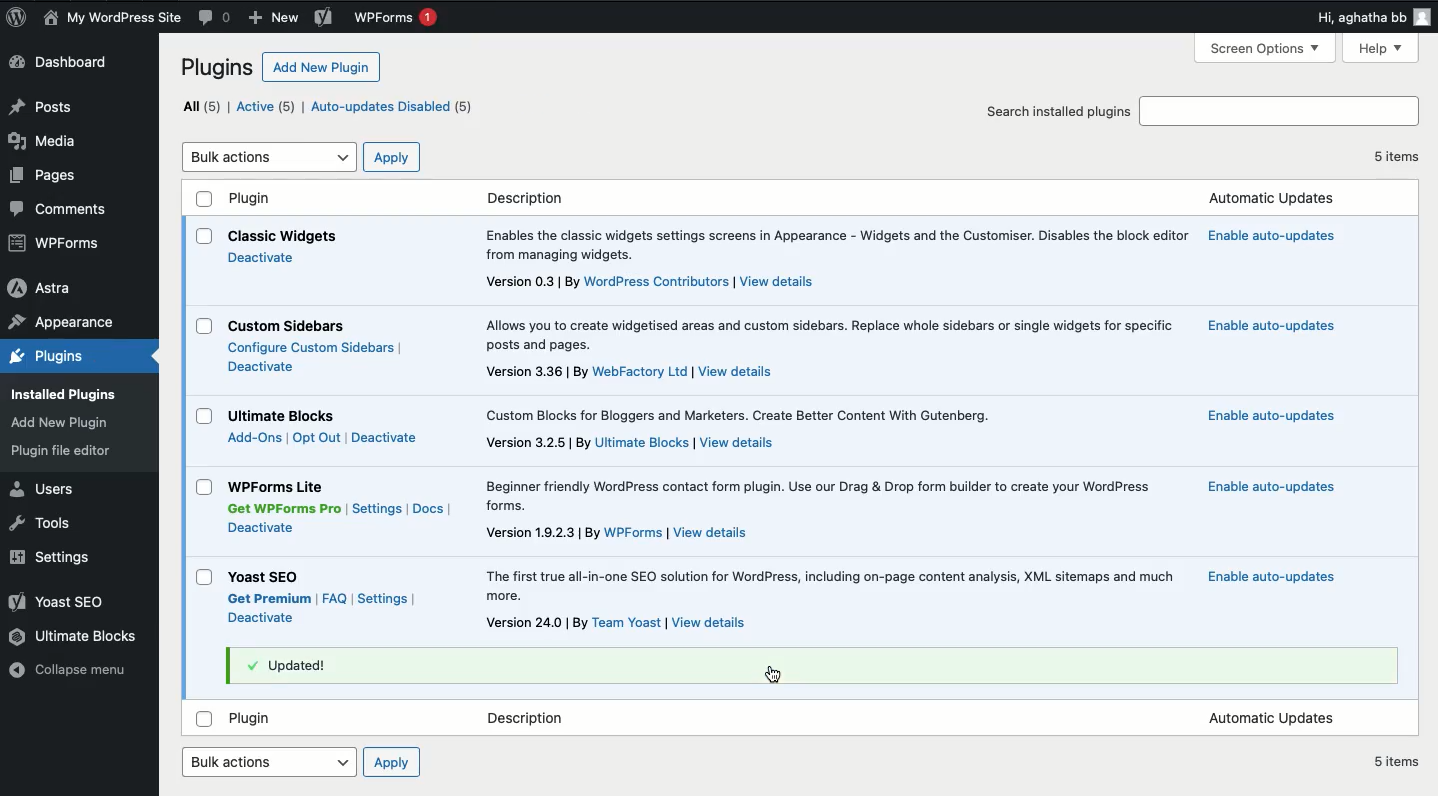 The image size is (1438, 796). Describe the element at coordinates (631, 444) in the screenshot. I see `Description` at that location.